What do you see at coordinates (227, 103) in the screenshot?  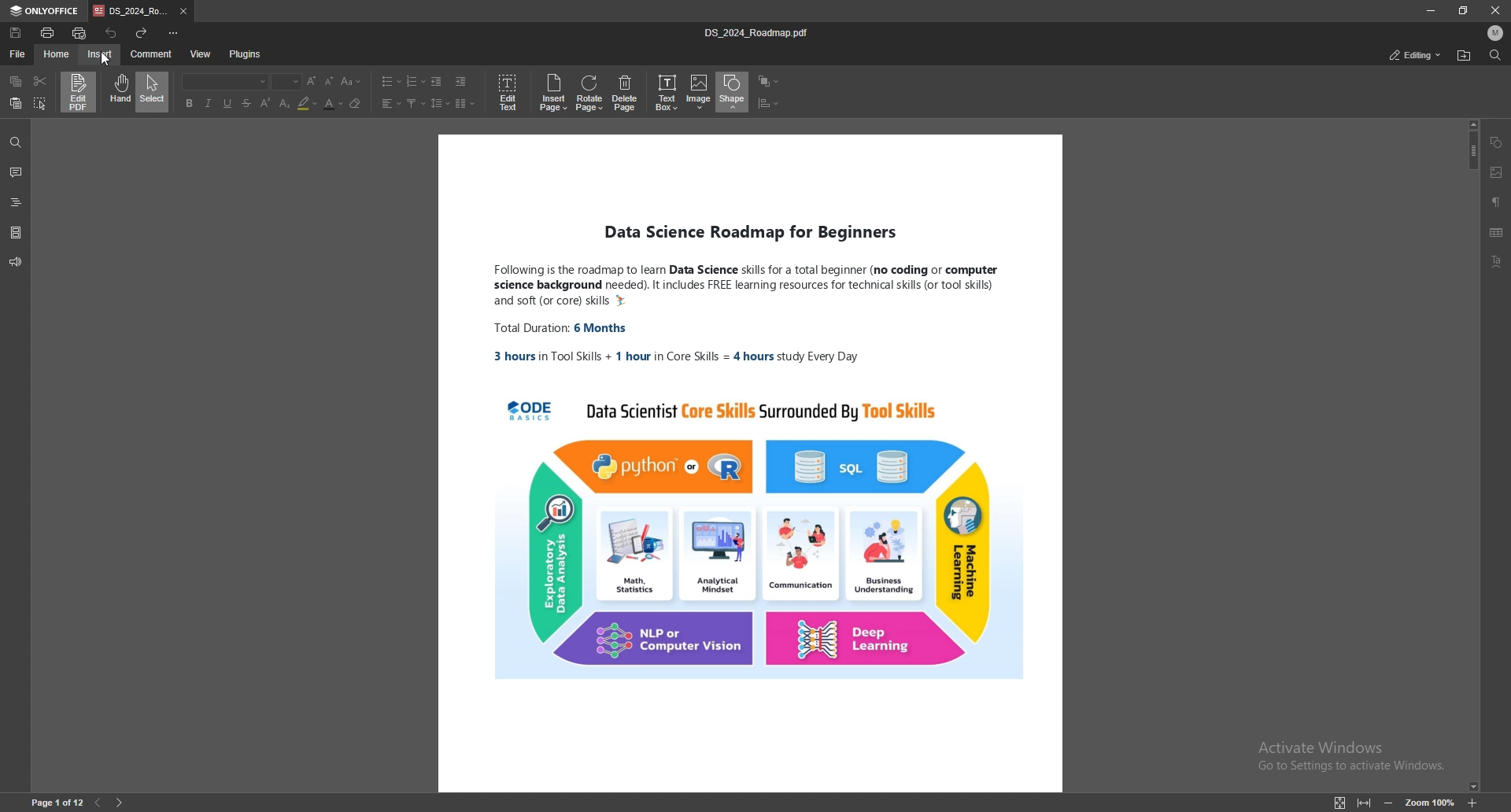 I see `underline` at bounding box center [227, 103].